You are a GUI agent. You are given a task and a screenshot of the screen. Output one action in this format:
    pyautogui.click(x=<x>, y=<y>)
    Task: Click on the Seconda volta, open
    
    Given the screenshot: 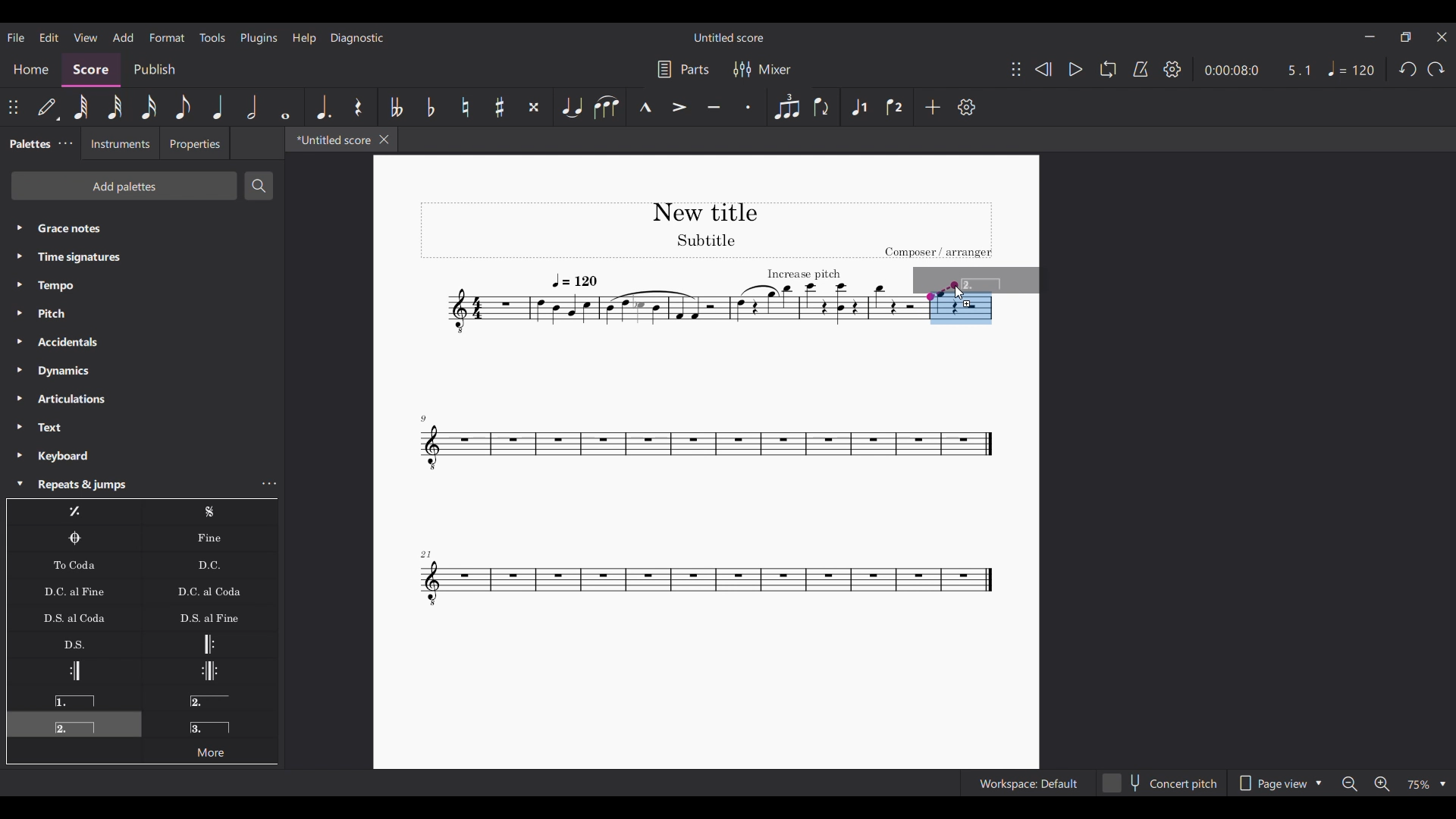 What is the action you would take?
    pyautogui.click(x=209, y=698)
    